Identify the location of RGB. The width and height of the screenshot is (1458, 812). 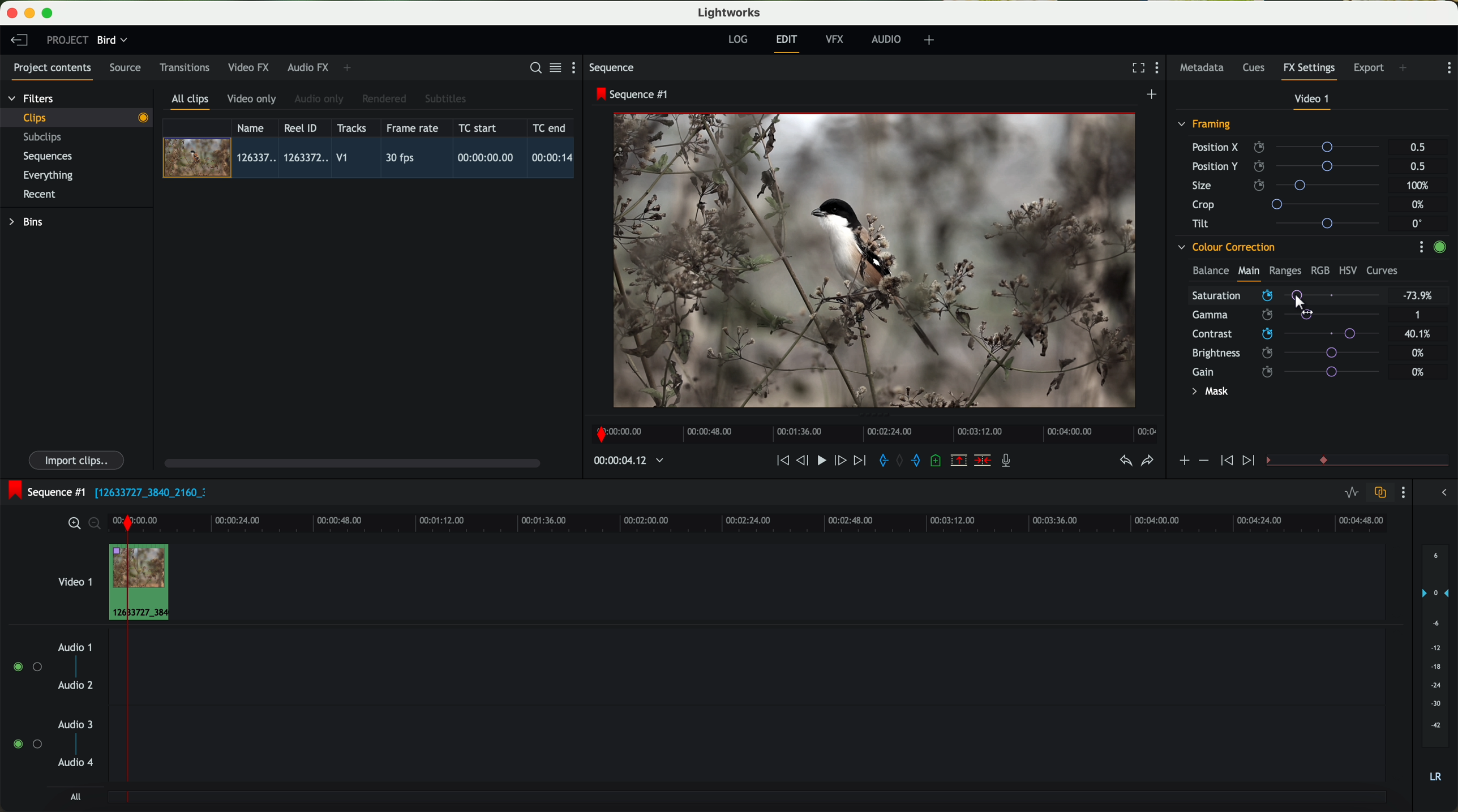
(1319, 269).